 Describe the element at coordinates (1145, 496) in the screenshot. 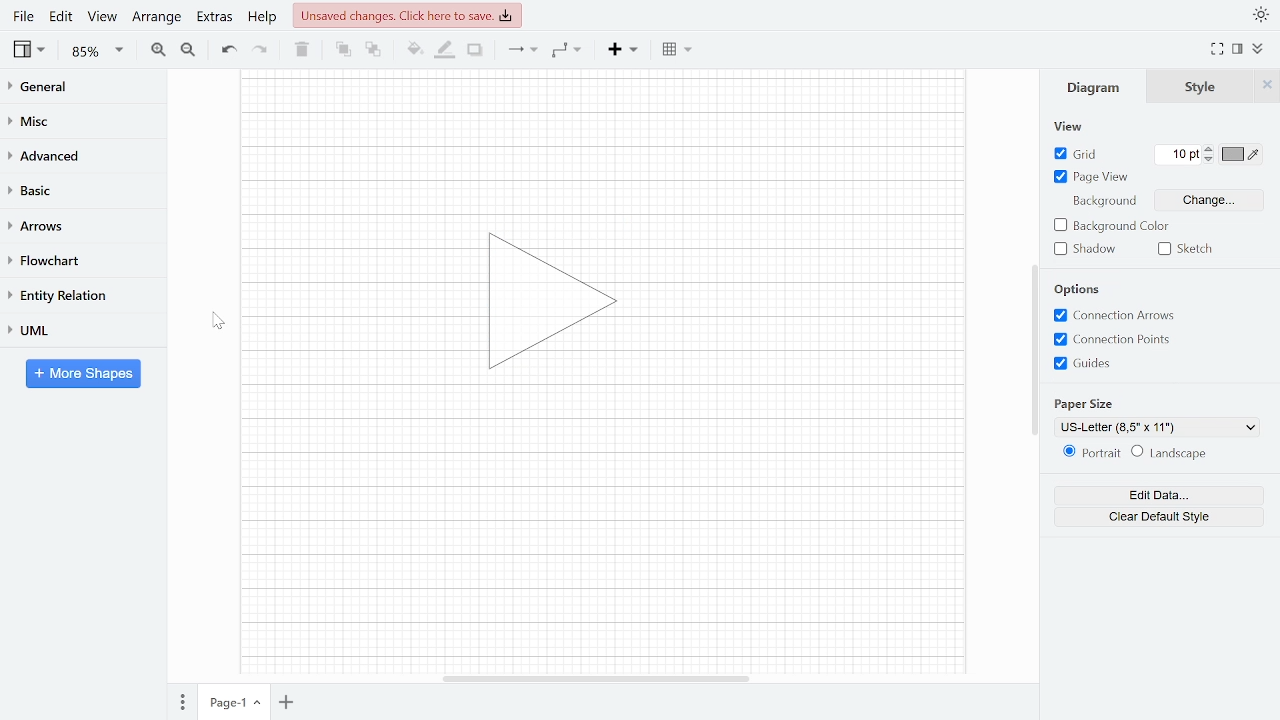

I see `Edit Data.` at that location.